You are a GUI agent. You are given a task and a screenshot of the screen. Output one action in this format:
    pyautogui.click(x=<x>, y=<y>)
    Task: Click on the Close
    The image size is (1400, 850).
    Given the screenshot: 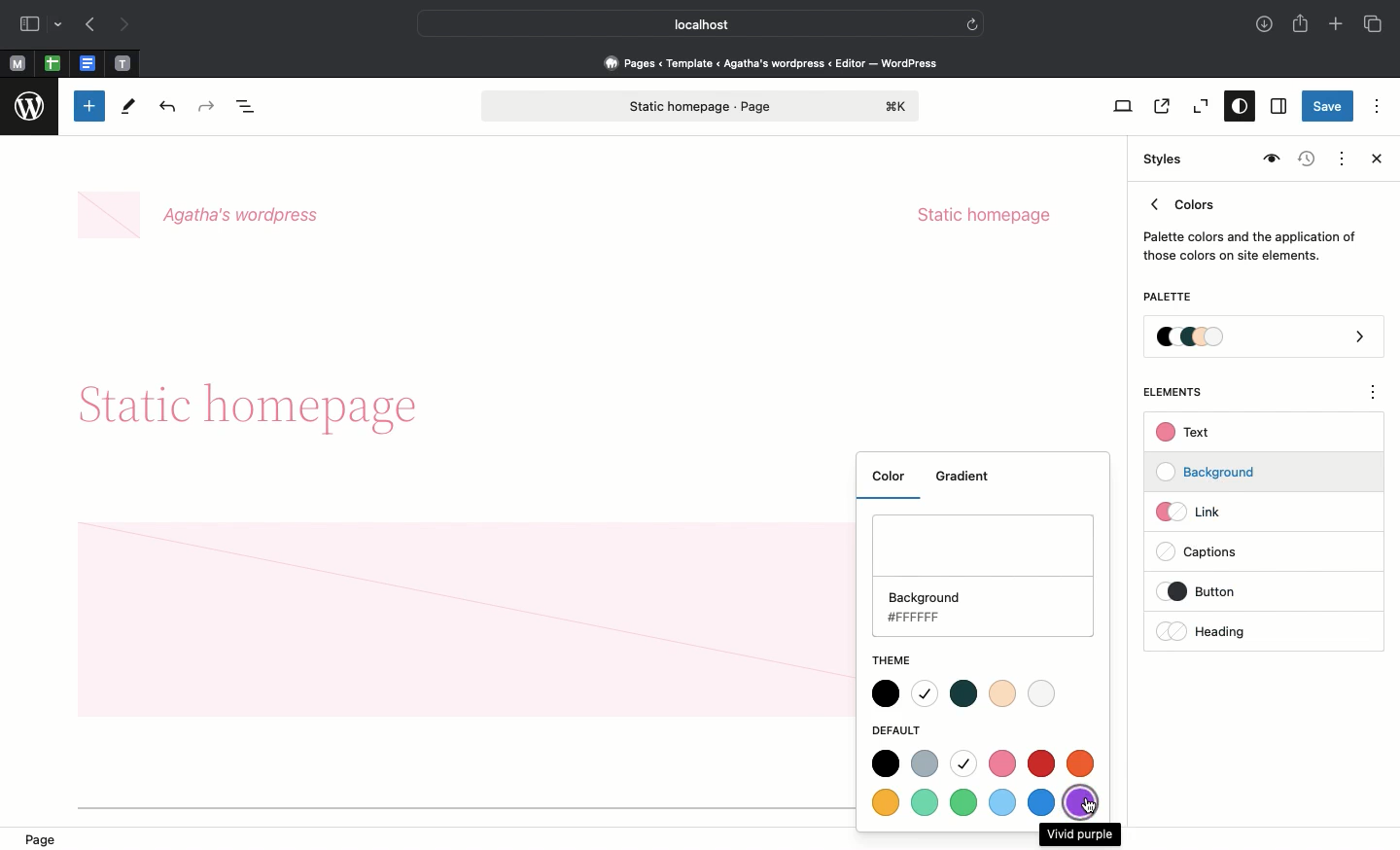 What is the action you would take?
    pyautogui.click(x=1373, y=160)
    